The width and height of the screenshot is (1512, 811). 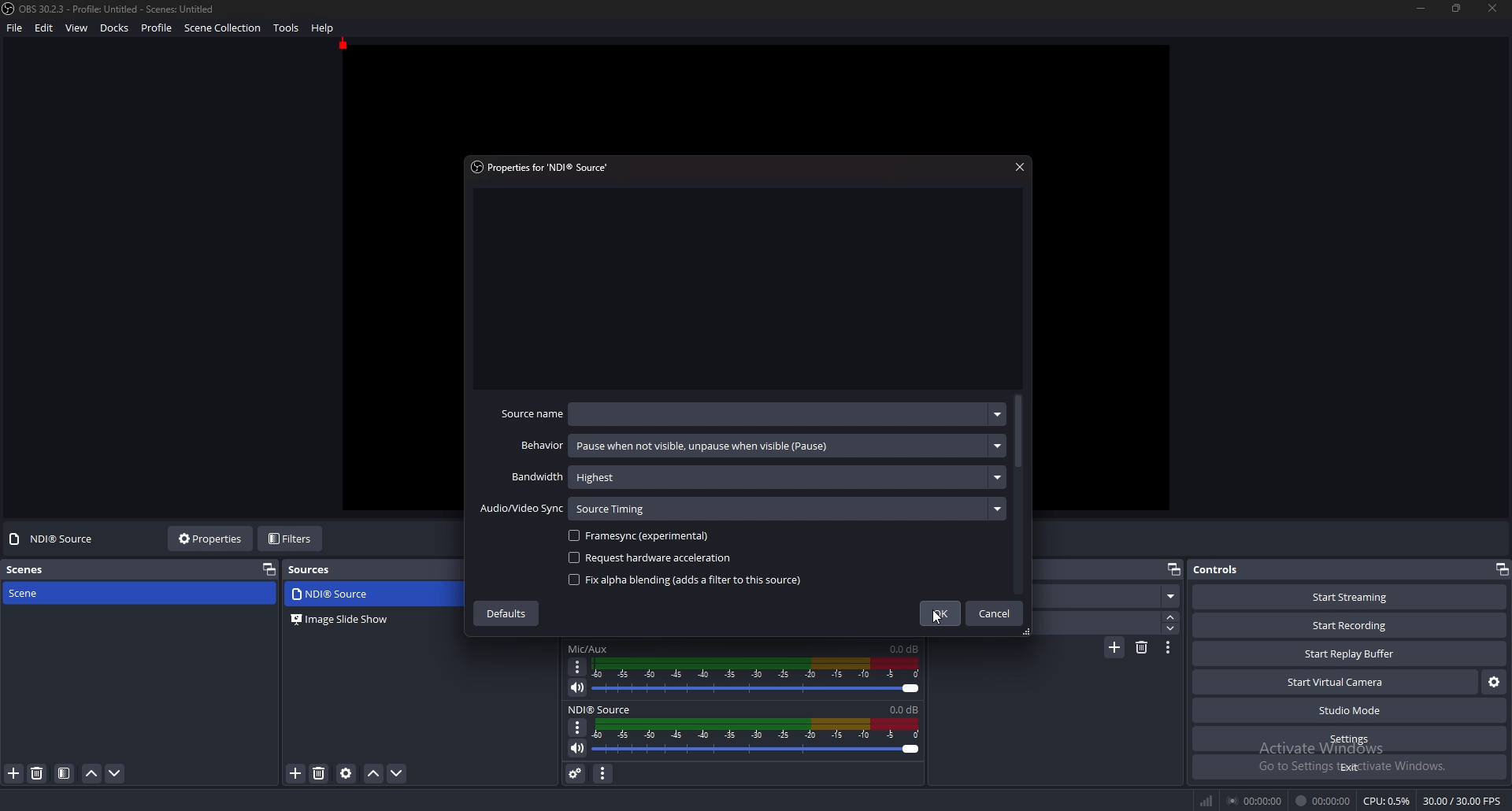 What do you see at coordinates (606, 707) in the screenshot?
I see `NDI® <otirce` at bounding box center [606, 707].